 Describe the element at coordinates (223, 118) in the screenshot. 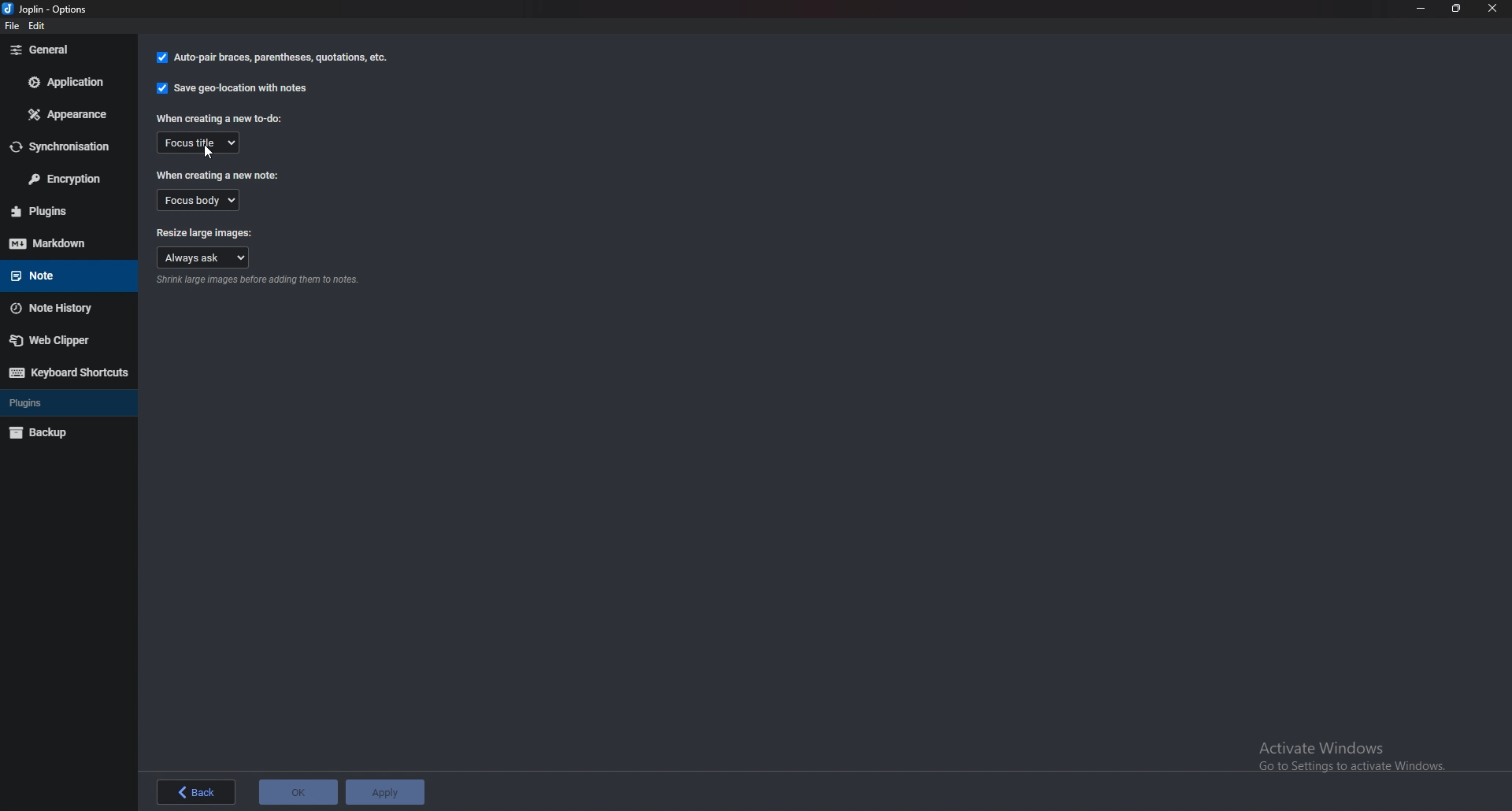

I see `When creating a new to do` at that location.